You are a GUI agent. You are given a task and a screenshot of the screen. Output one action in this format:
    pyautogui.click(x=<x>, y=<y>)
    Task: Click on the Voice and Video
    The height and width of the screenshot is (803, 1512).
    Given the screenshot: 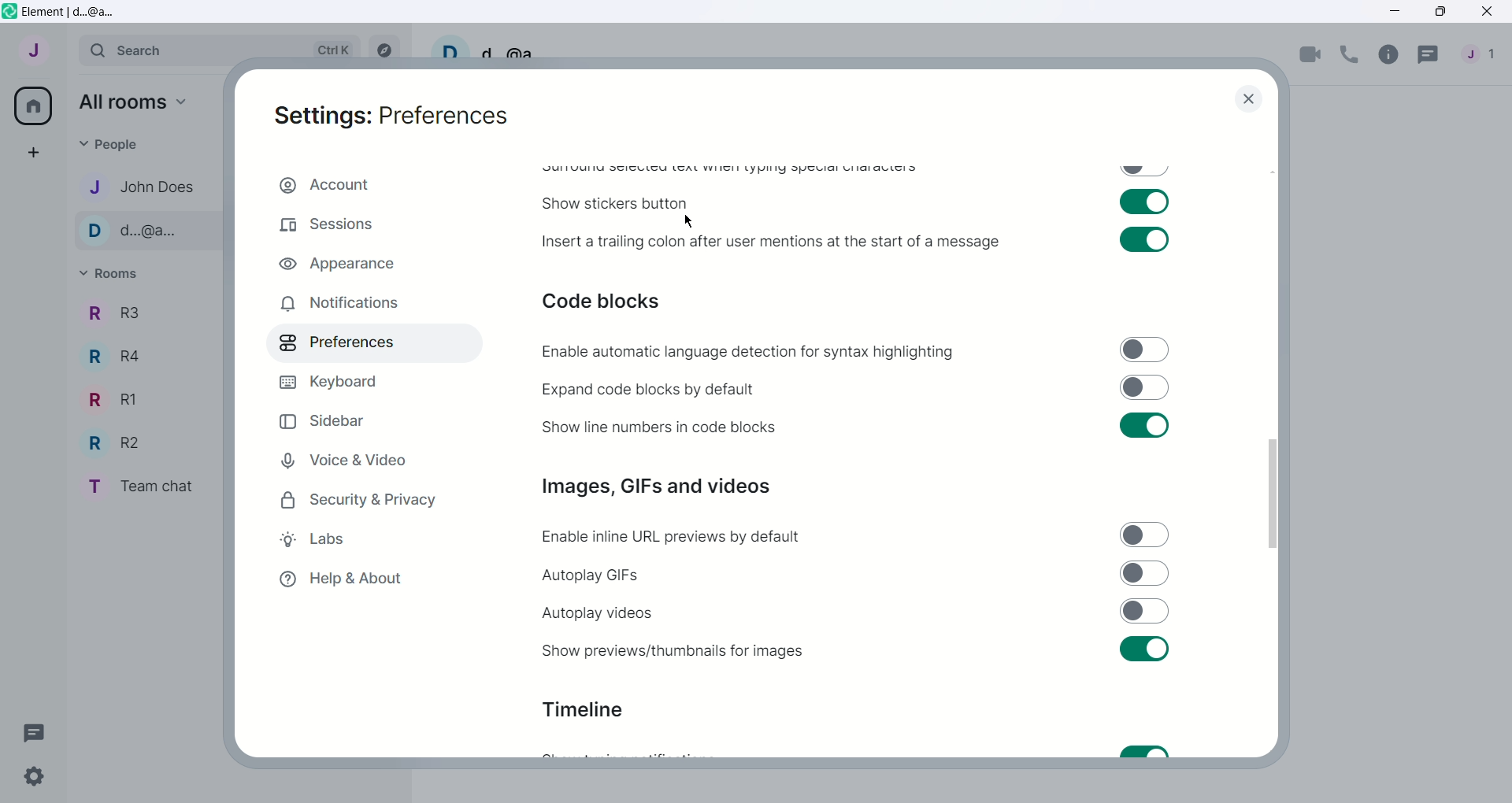 What is the action you would take?
    pyautogui.click(x=365, y=460)
    